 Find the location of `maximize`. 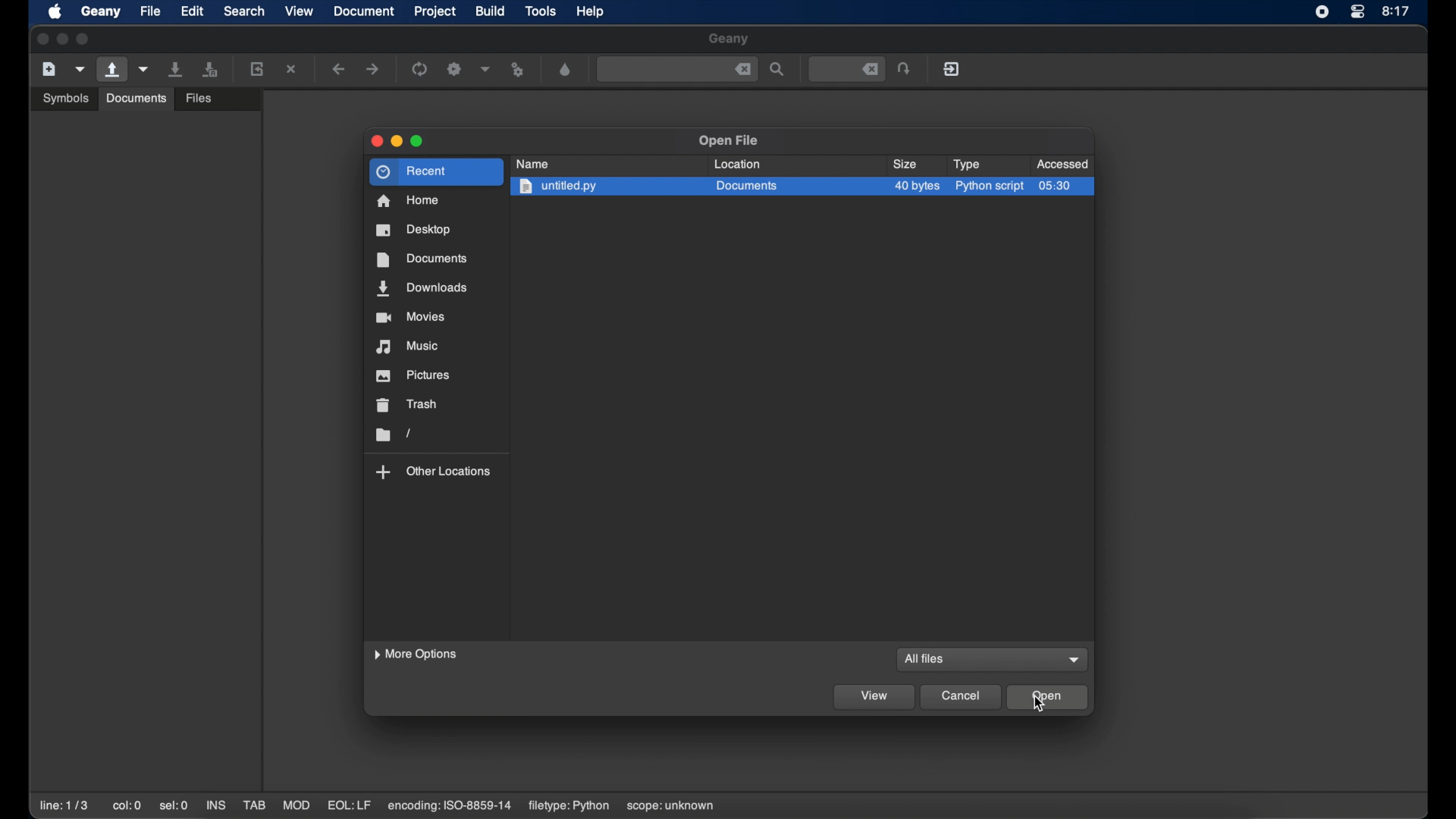

maximize is located at coordinates (418, 141).